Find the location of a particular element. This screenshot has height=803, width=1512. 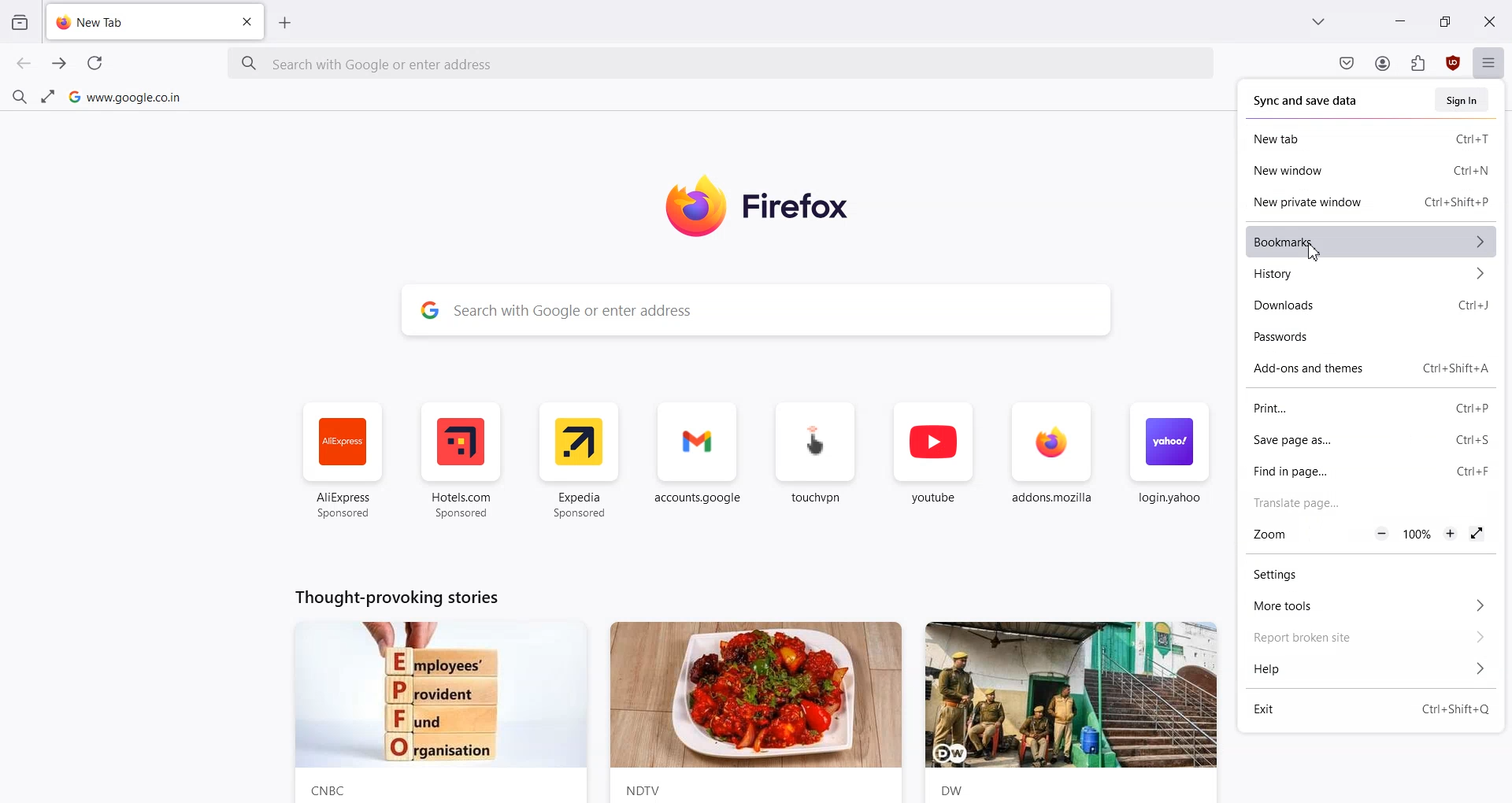

Full screen is located at coordinates (1476, 533).